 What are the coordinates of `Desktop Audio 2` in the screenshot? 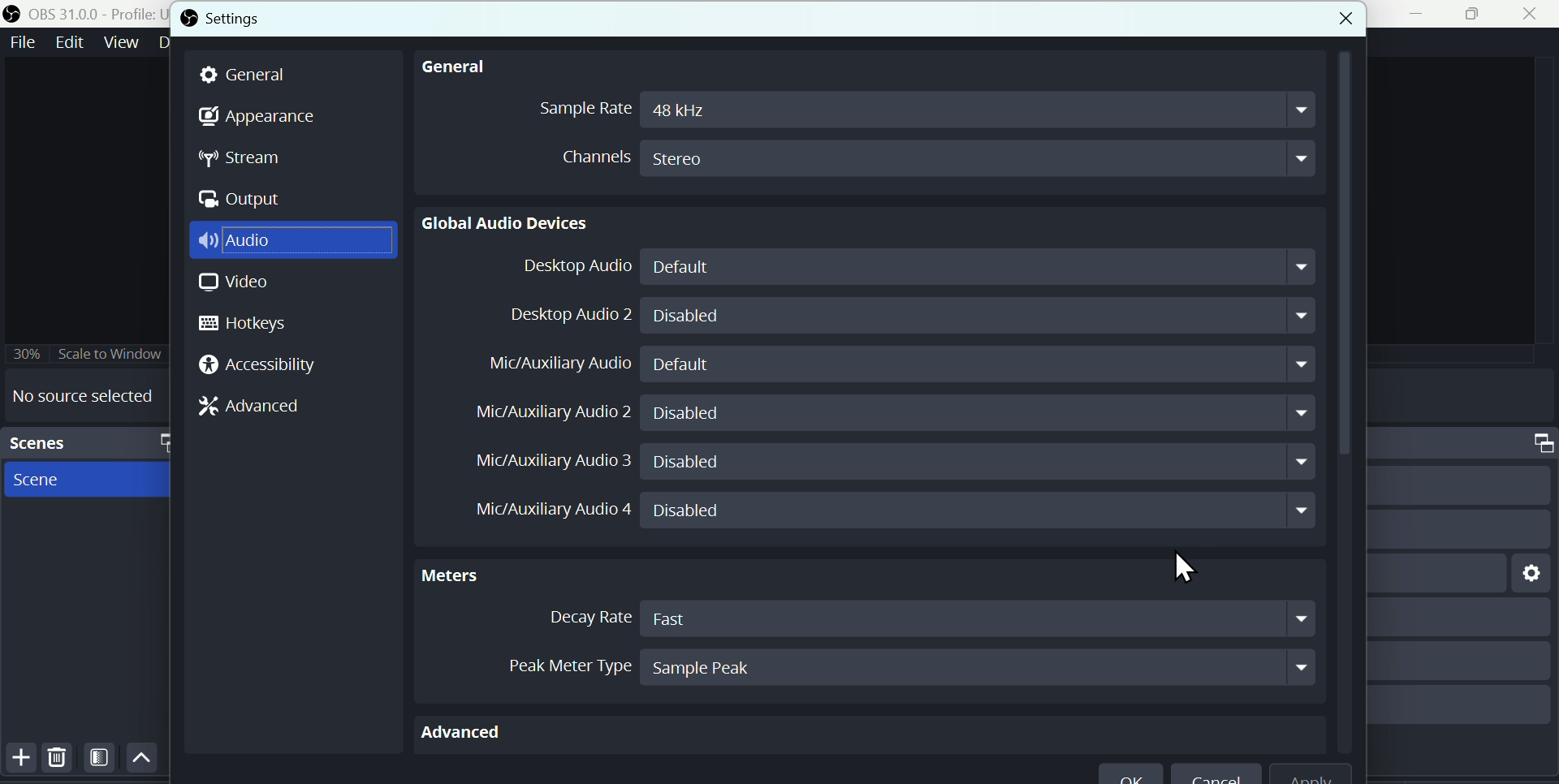 It's located at (569, 317).